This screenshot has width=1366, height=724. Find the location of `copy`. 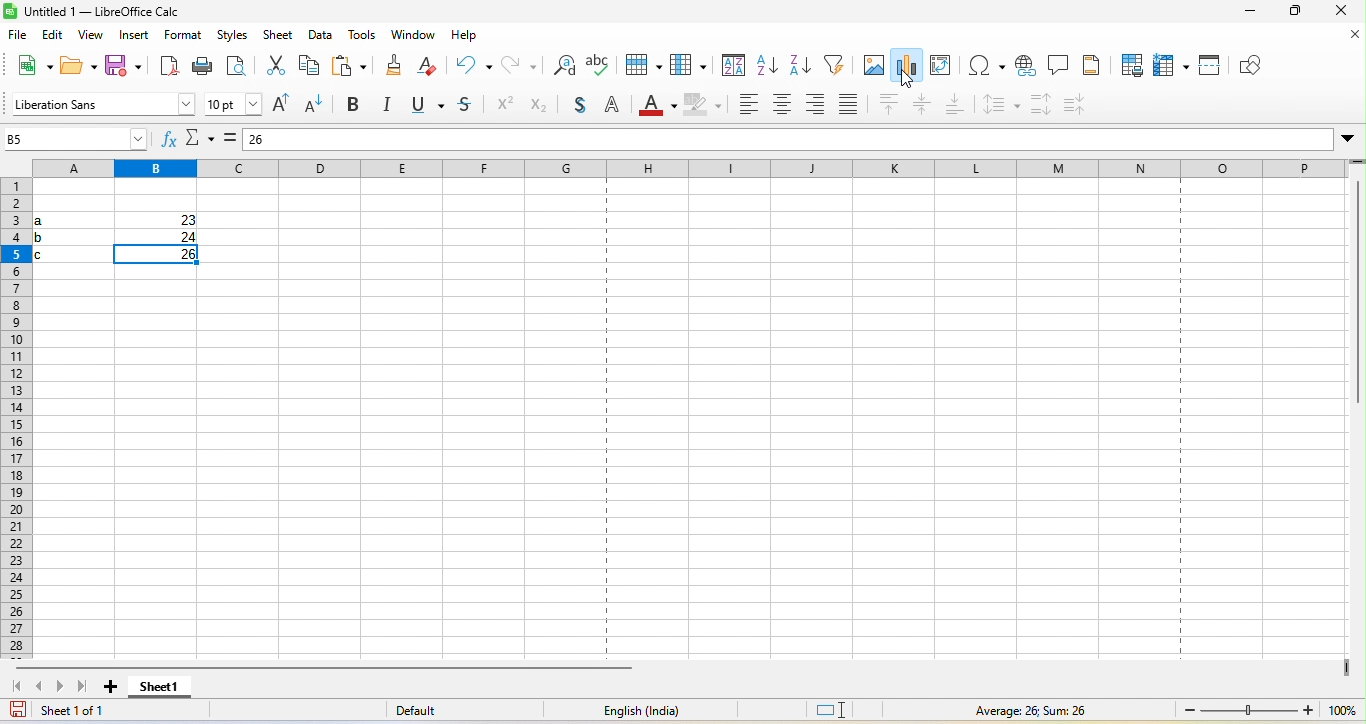

copy is located at coordinates (309, 69).